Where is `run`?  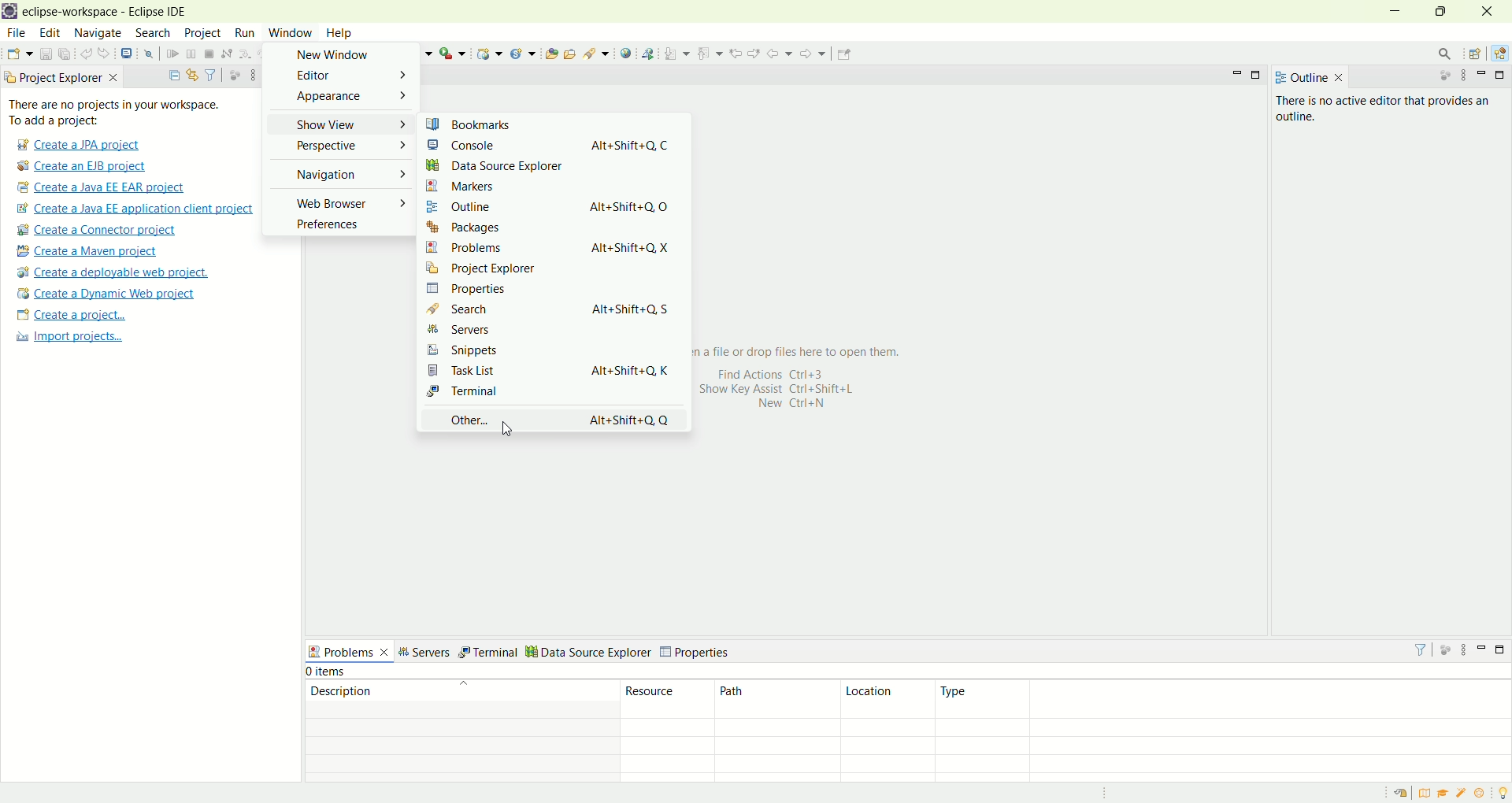 run is located at coordinates (243, 34).